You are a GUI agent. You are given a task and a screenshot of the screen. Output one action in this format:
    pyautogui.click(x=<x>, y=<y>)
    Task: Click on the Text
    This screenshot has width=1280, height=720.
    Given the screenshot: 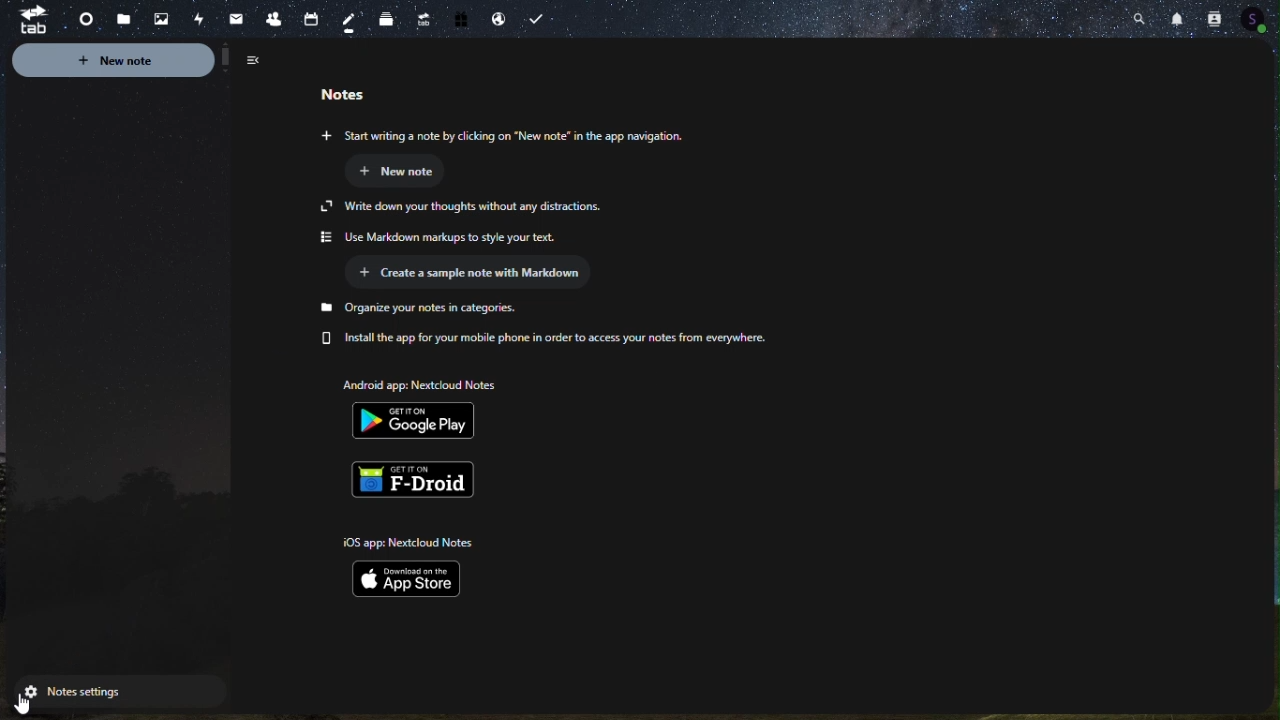 What is the action you would take?
    pyautogui.click(x=552, y=324)
    